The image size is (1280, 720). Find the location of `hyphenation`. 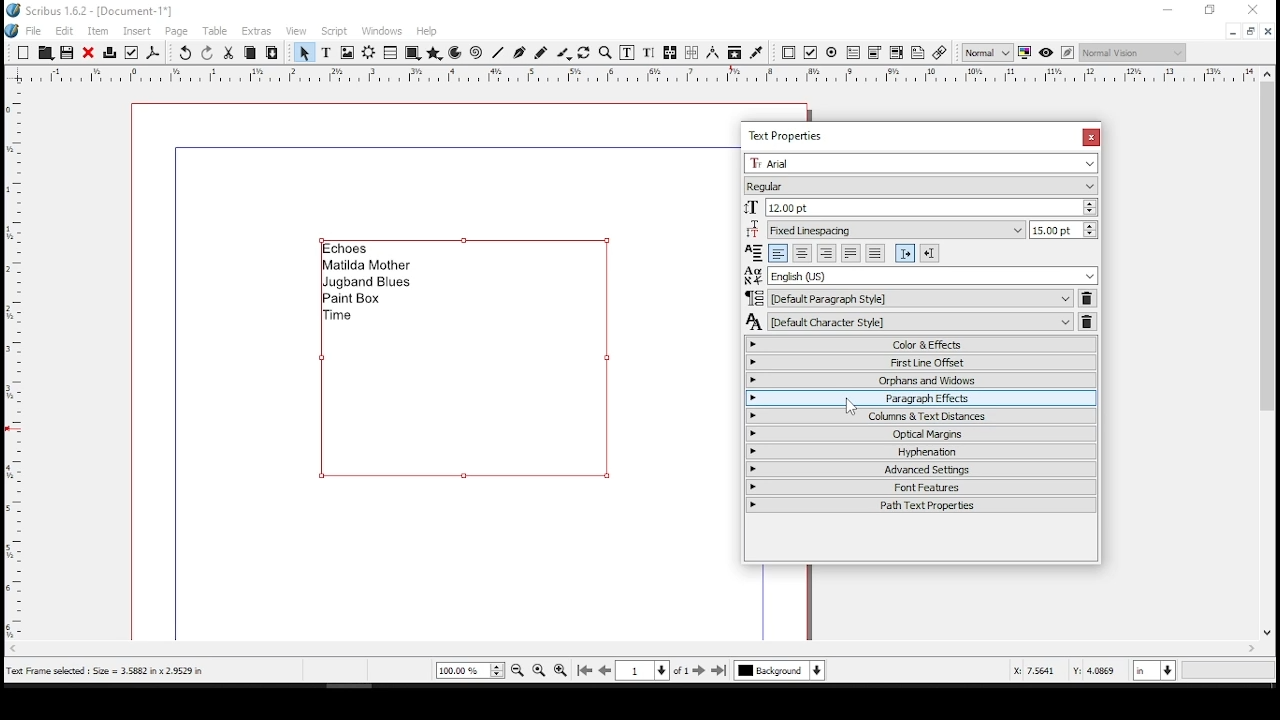

hyphenation is located at coordinates (921, 451).